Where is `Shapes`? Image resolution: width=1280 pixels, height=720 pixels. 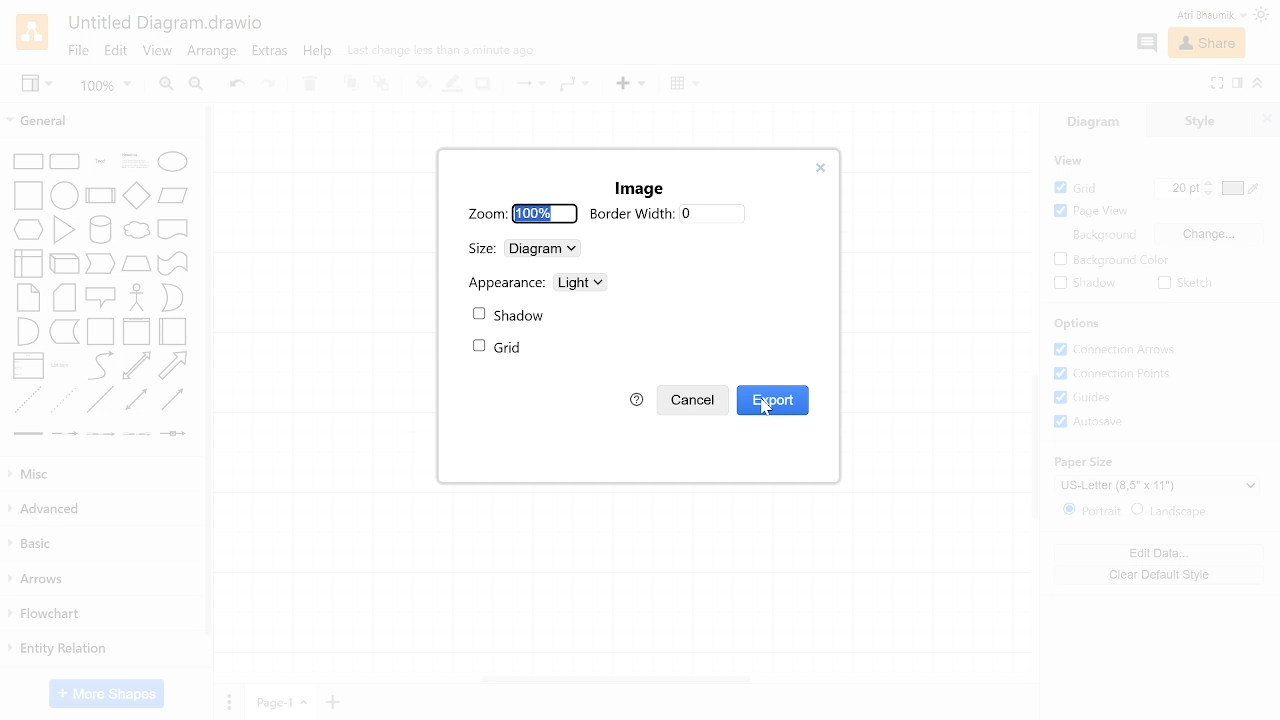
Shapes is located at coordinates (103, 295).